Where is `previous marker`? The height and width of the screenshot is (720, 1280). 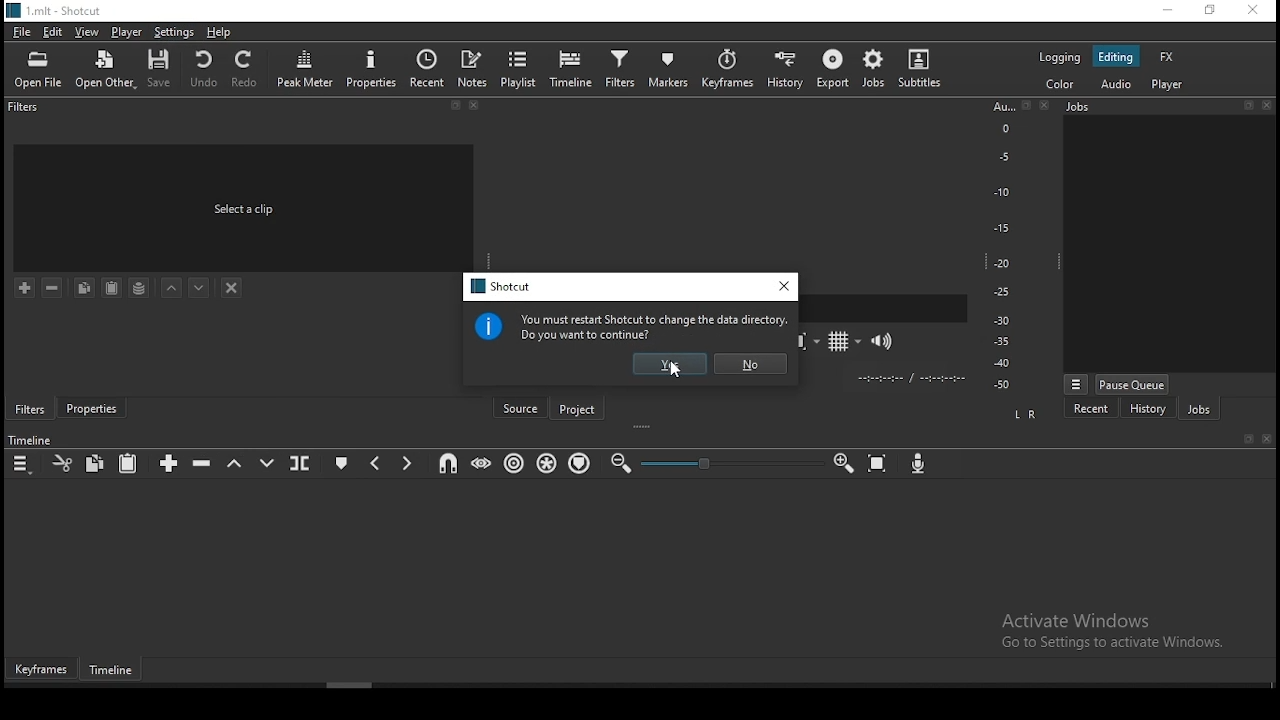
previous marker is located at coordinates (377, 460).